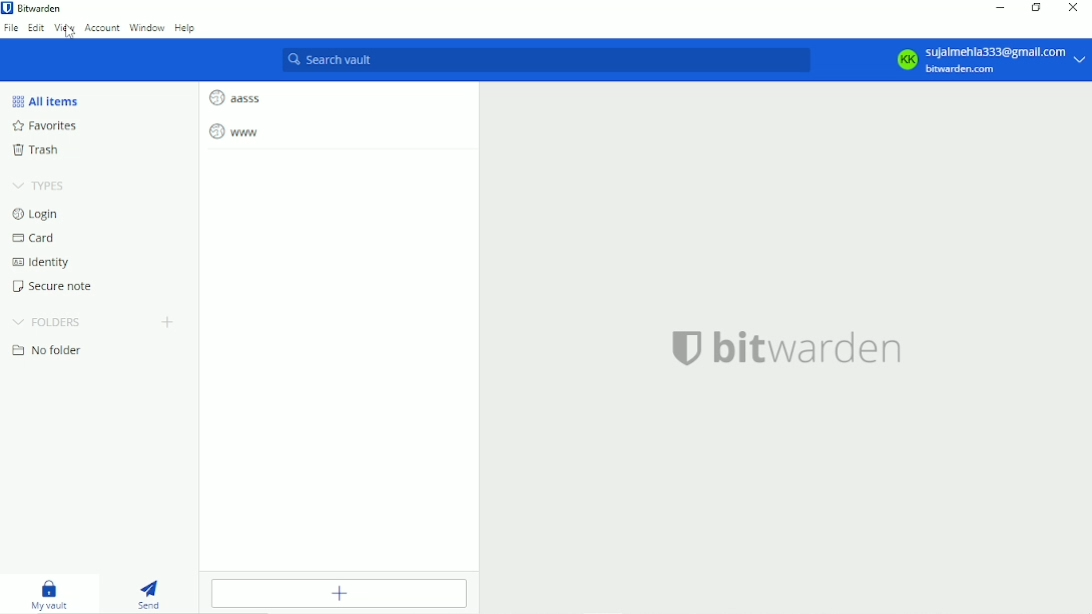 This screenshot has width=1092, height=614. Describe the element at coordinates (146, 28) in the screenshot. I see `Window` at that location.